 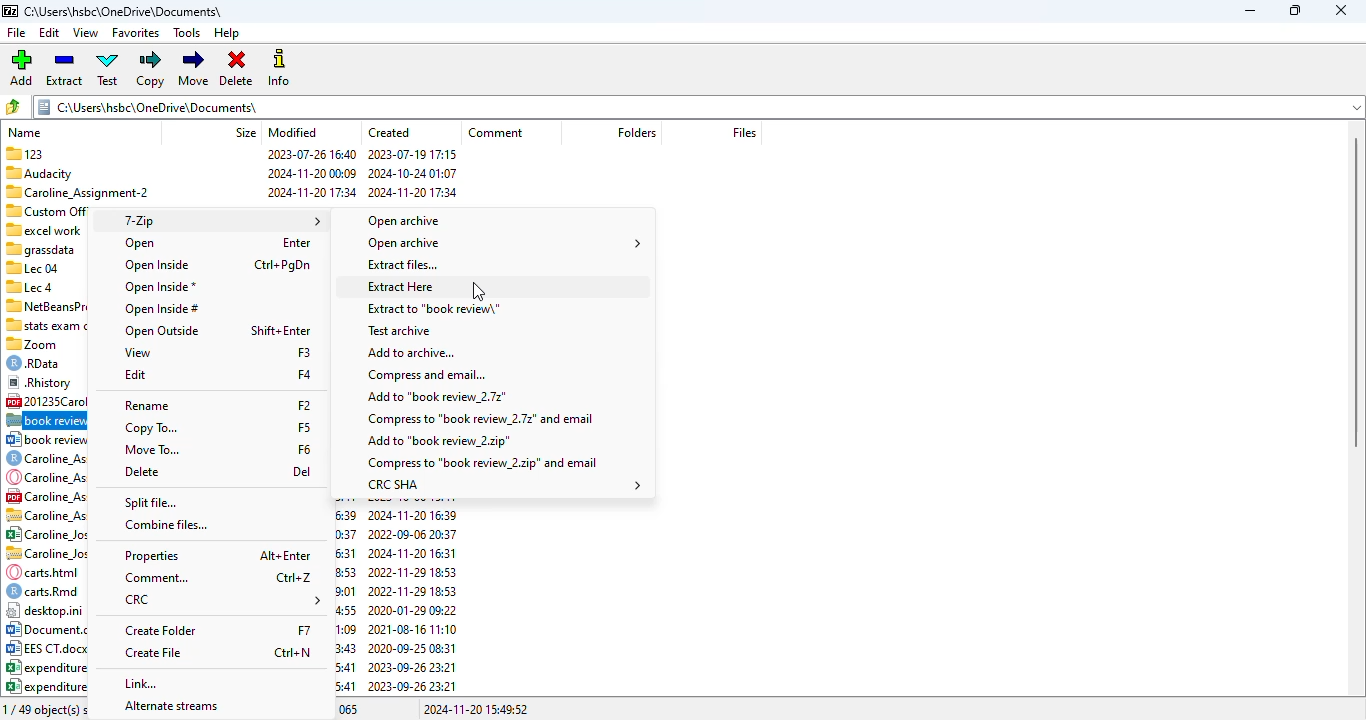 What do you see at coordinates (434, 309) in the screenshot?
I see `extract to file` at bounding box center [434, 309].